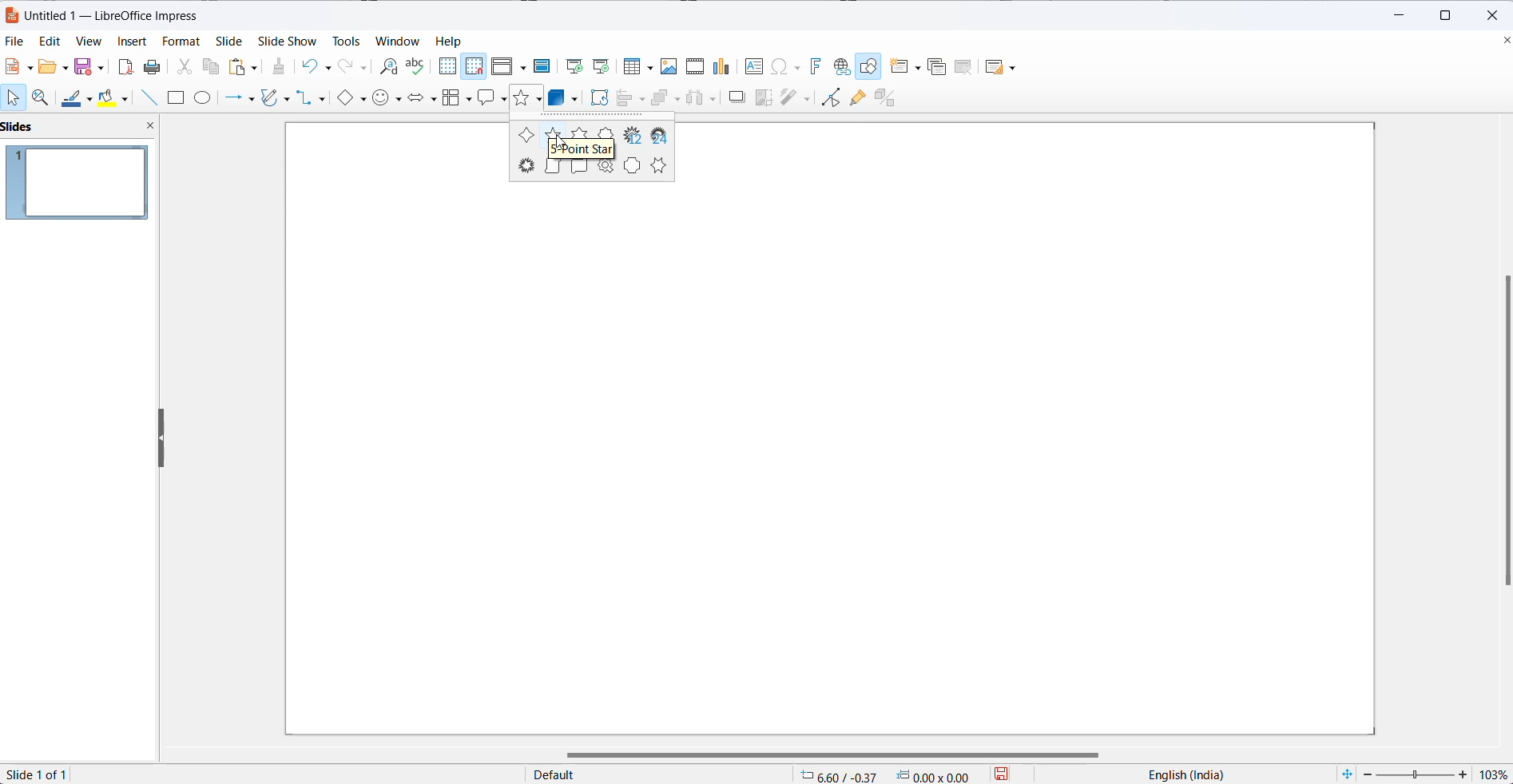  I want to click on English(India), so click(1177, 775).